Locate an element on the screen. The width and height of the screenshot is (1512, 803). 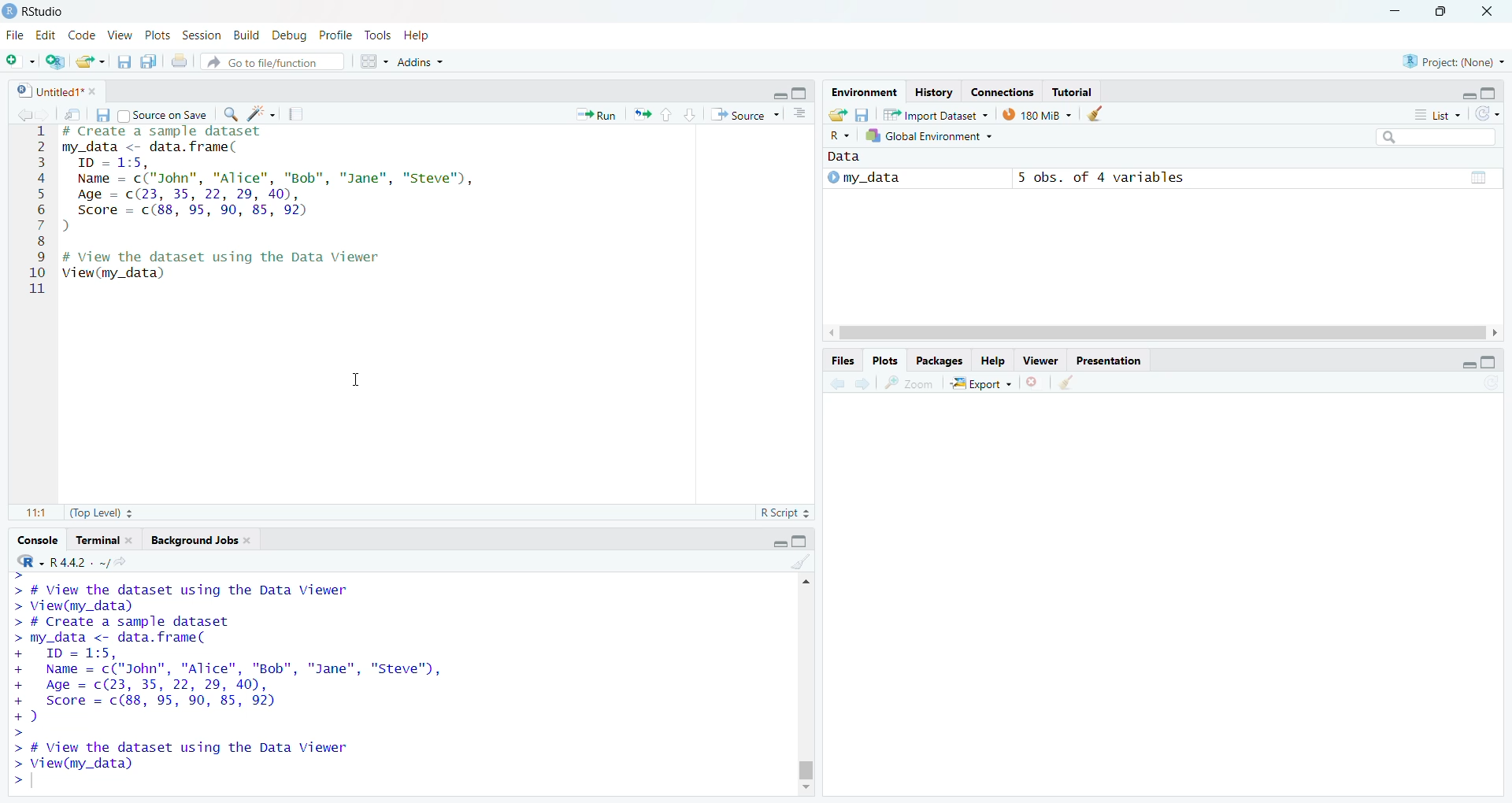
minimize is located at coordinates (1469, 364).